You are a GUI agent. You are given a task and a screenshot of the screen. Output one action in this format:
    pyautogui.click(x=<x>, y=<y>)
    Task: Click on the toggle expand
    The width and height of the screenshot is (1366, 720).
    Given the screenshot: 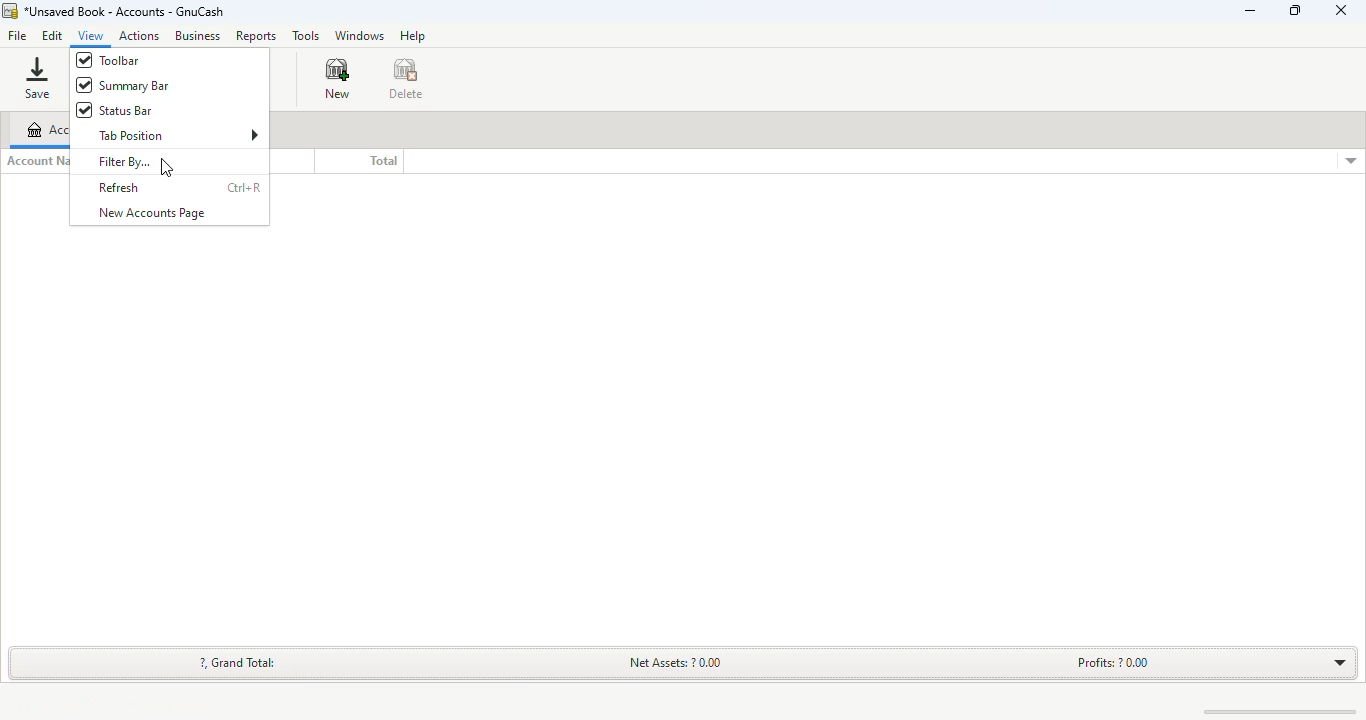 What is the action you would take?
    pyautogui.click(x=1335, y=662)
    